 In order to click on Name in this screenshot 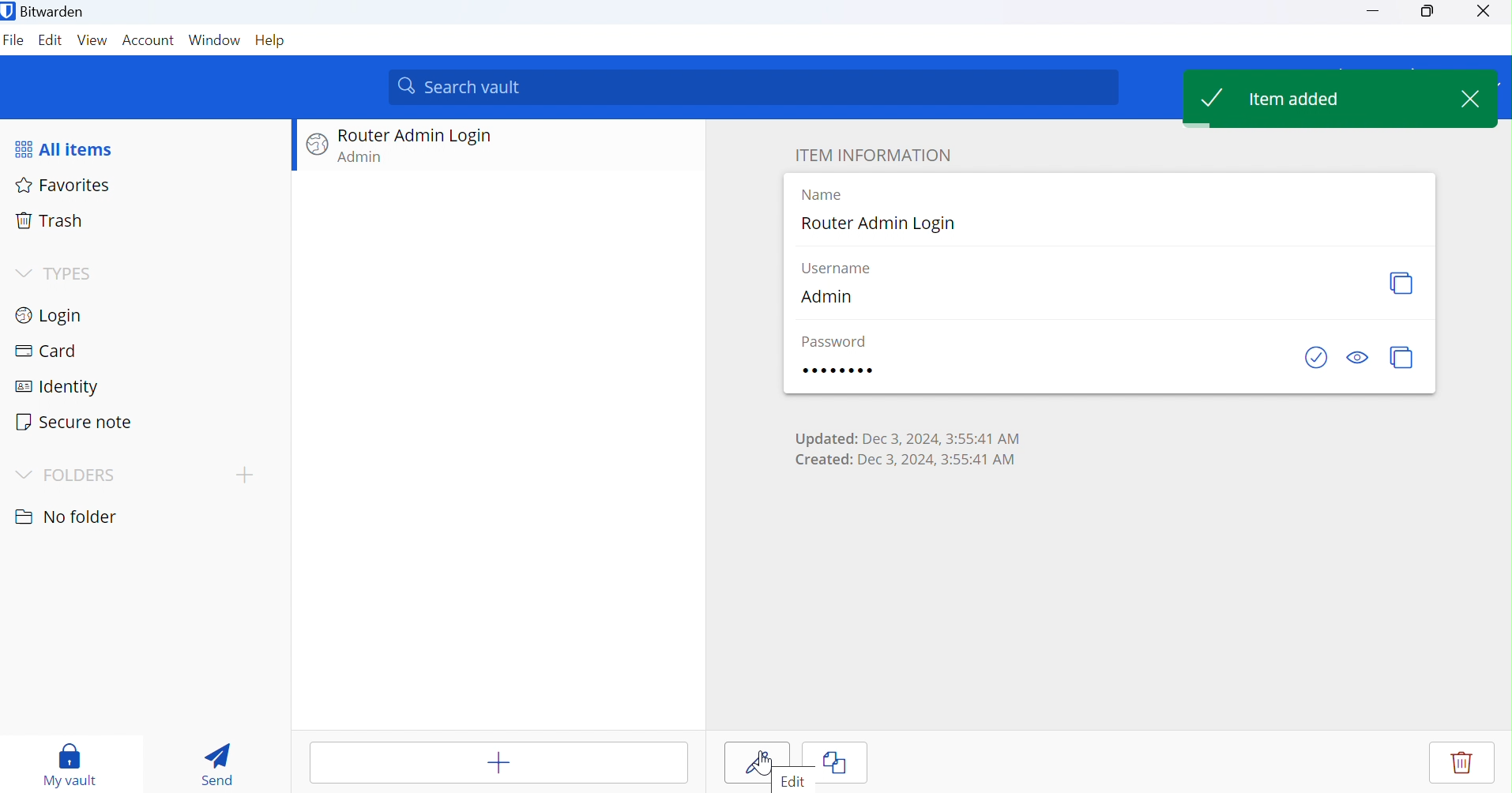, I will do `click(818, 192)`.